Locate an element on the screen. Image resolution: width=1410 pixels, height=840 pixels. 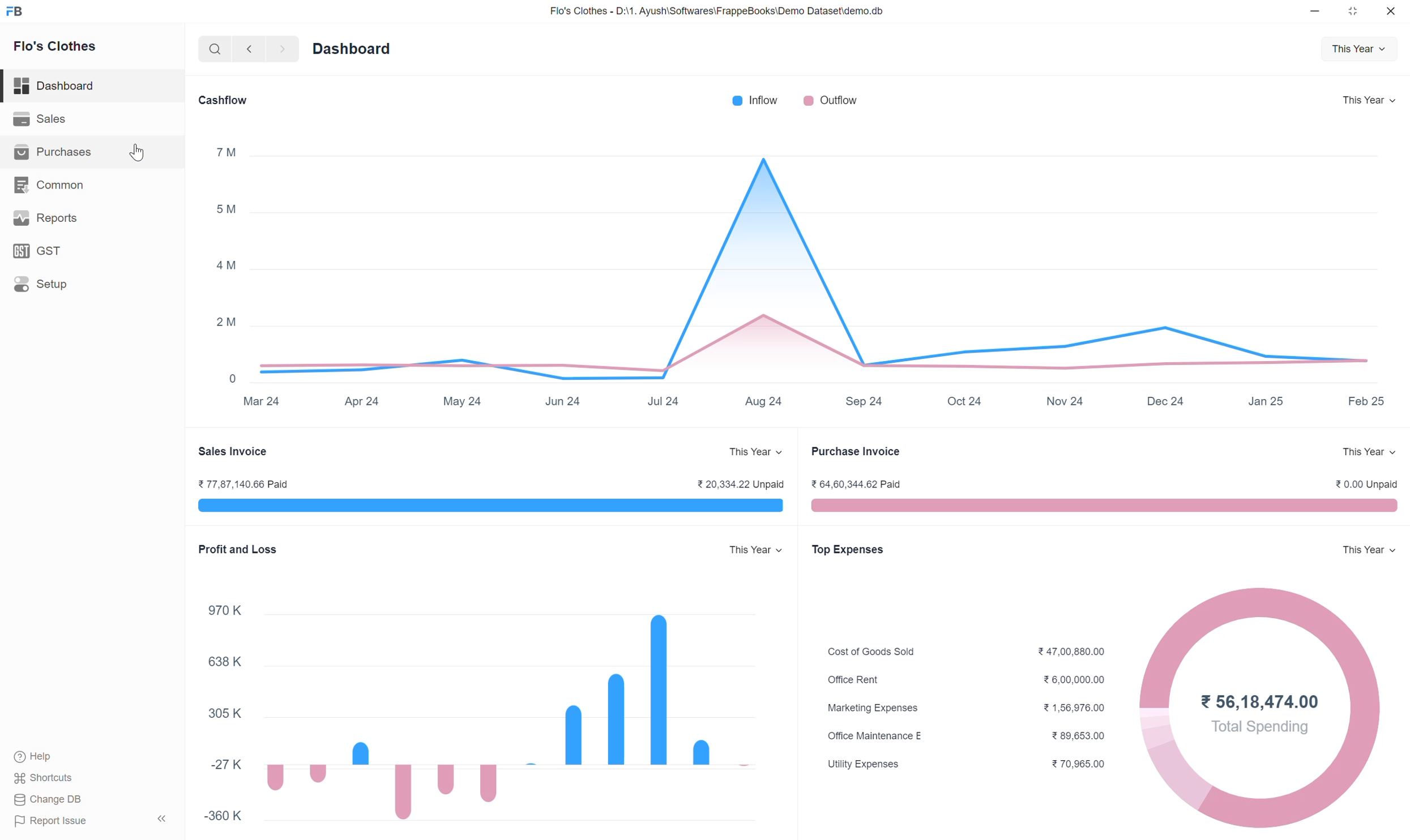
-360 K is located at coordinates (224, 815).